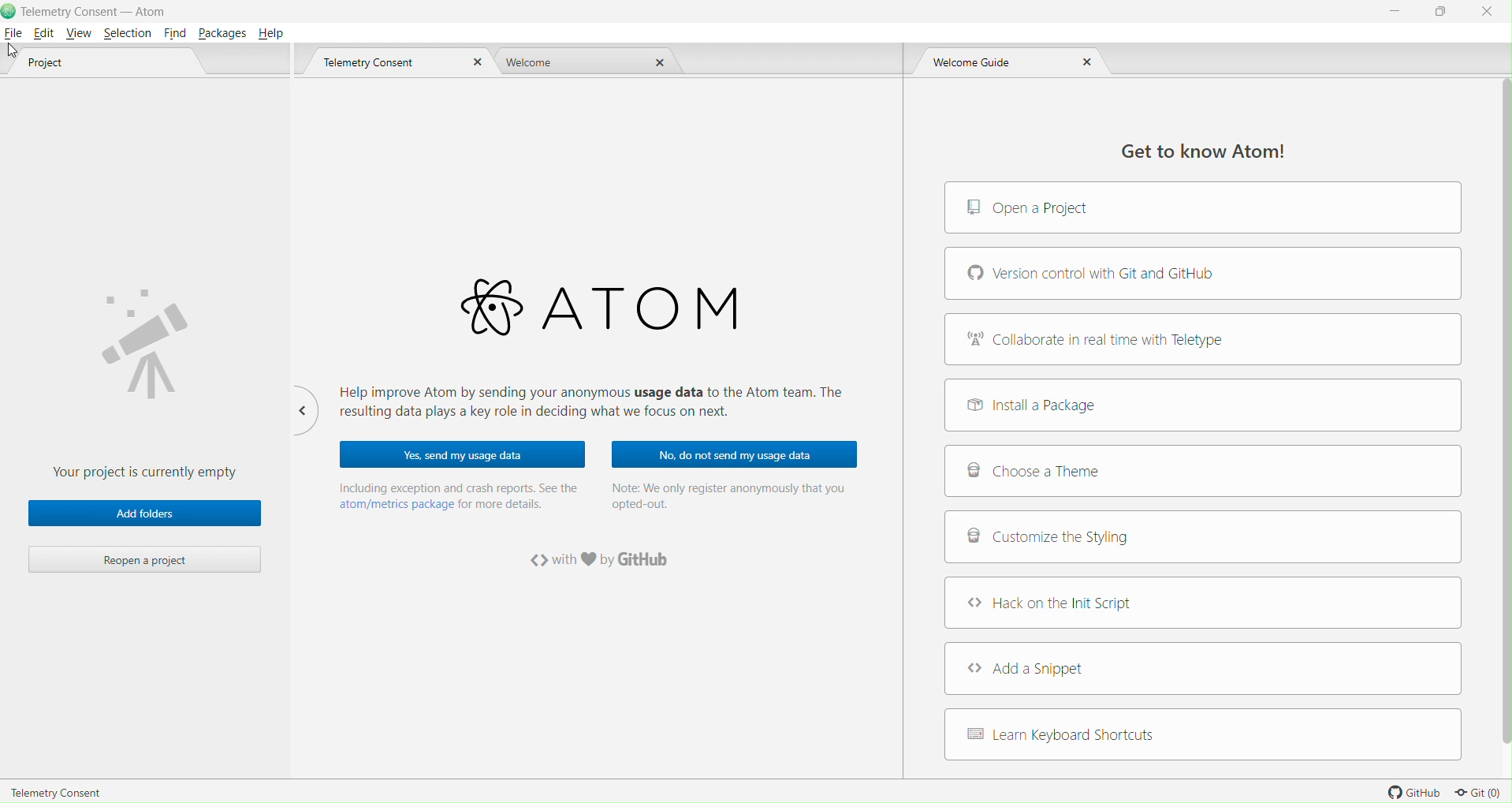 This screenshot has width=1512, height=803. What do you see at coordinates (604, 562) in the screenshot?
I see `<> with love by GitHub` at bounding box center [604, 562].